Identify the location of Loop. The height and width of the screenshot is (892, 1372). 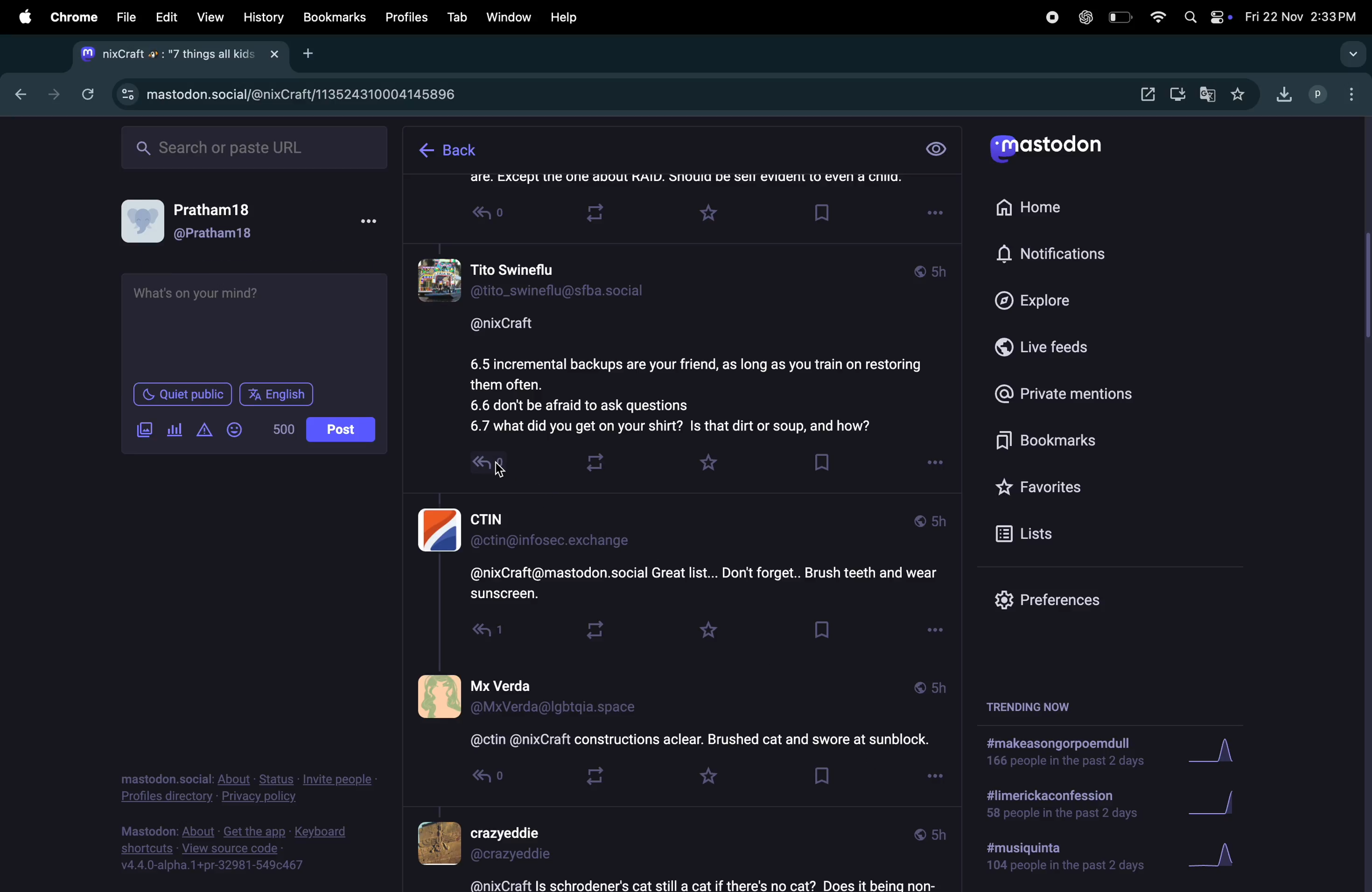
(608, 214).